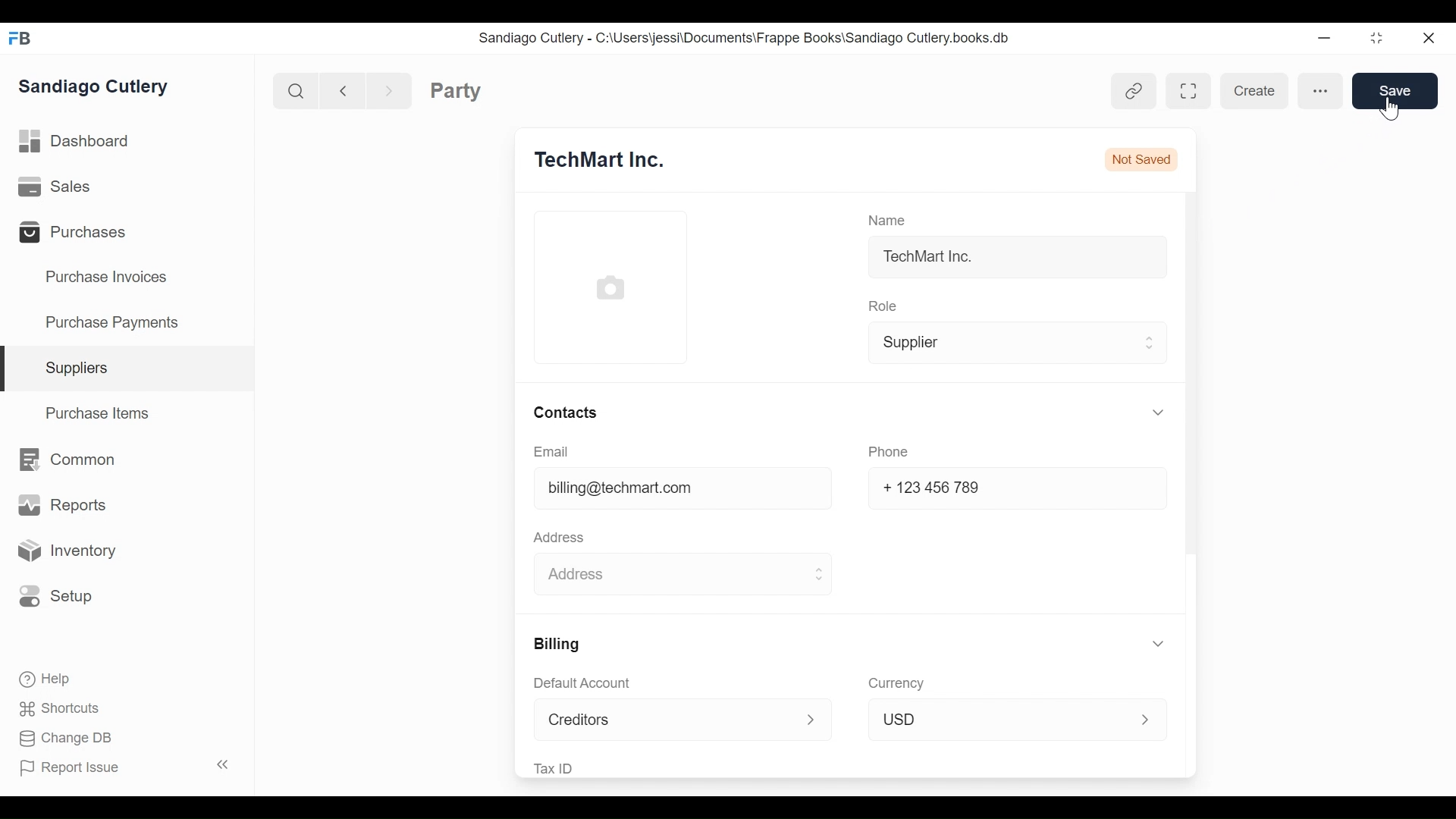 Image resolution: width=1456 pixels, height=819 pixels. Describe the element at coordinates (1134, 91) in the screenshot. I see `link` at that location.